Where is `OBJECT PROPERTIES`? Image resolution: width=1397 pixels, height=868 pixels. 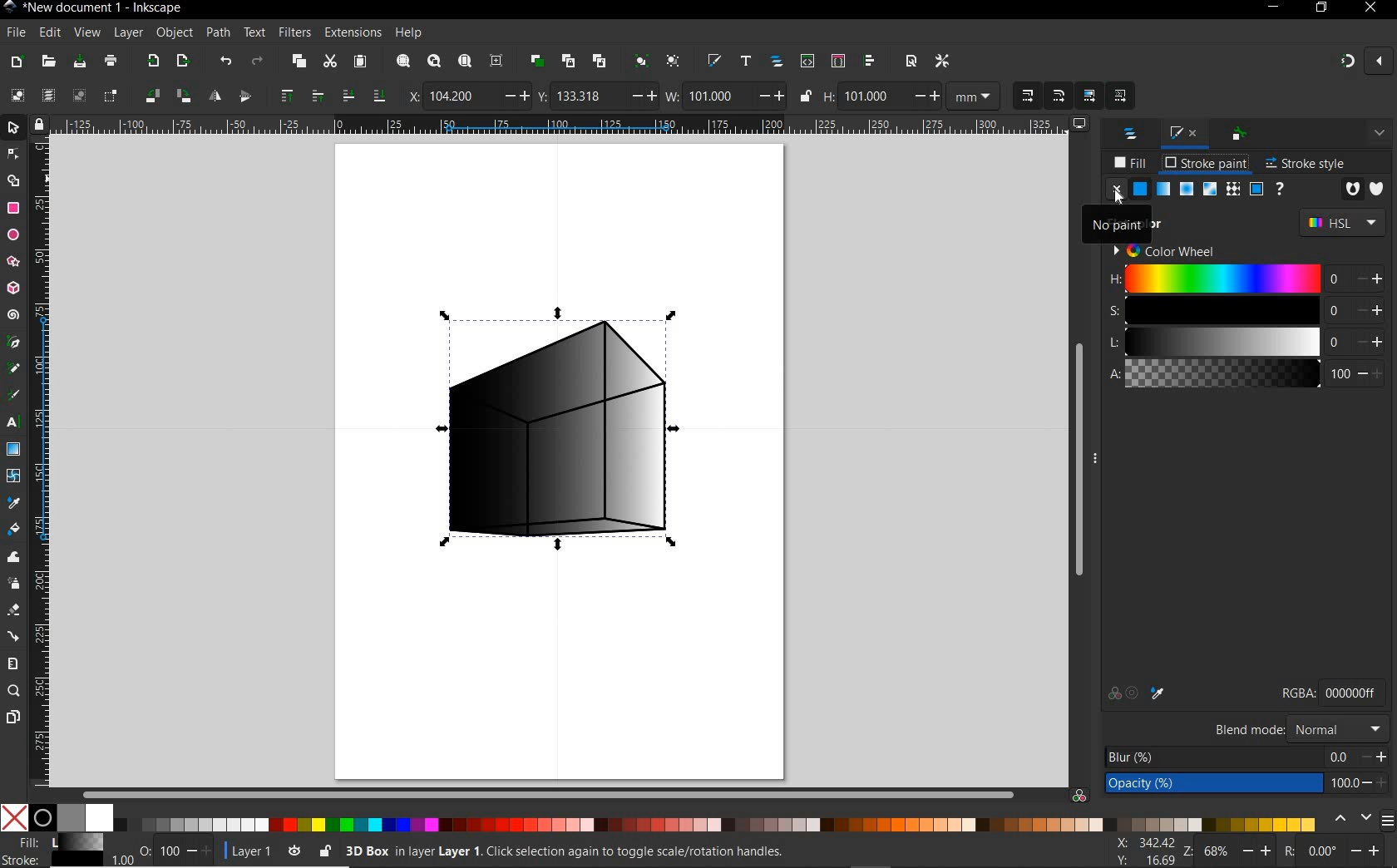
OBJECT PROPERTIES is located at coordinates (1241, 136).